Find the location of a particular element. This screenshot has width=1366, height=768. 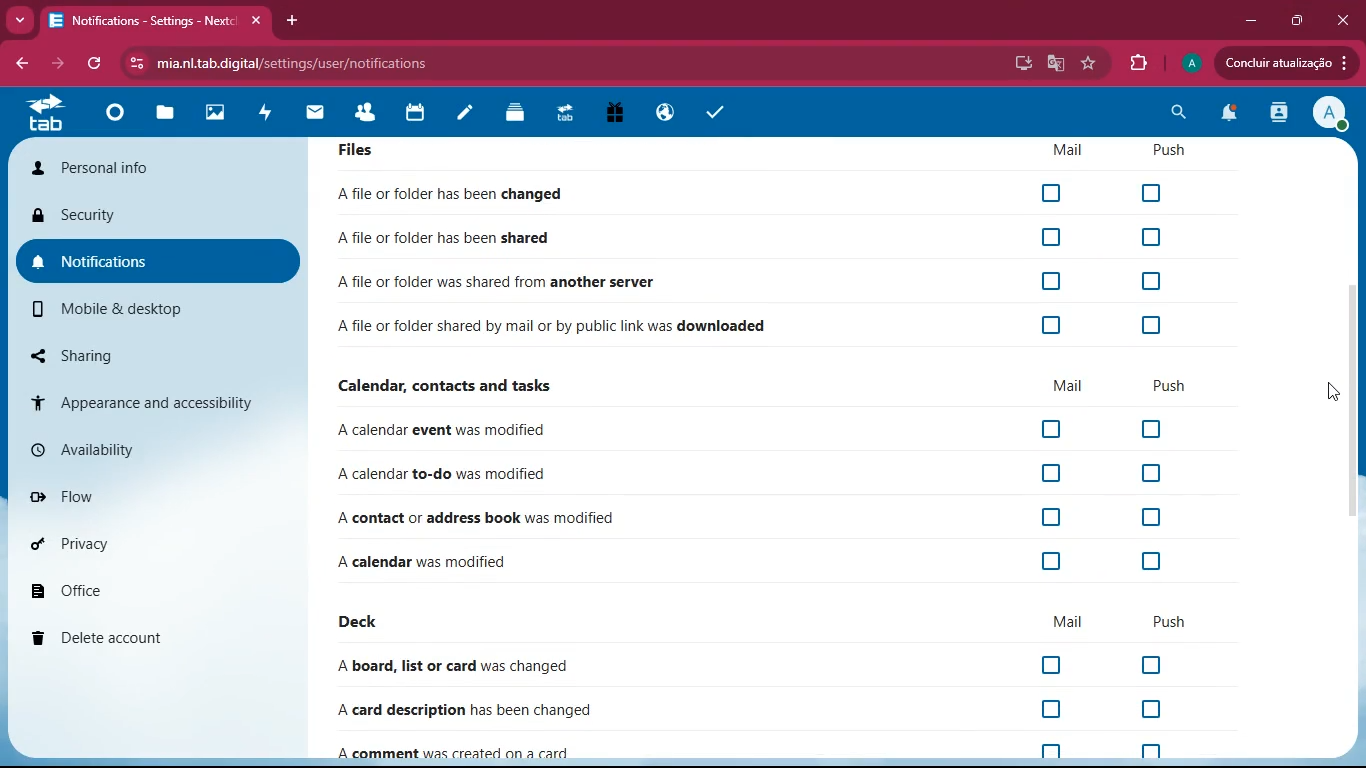

notes is located at coordinates (470, 115).